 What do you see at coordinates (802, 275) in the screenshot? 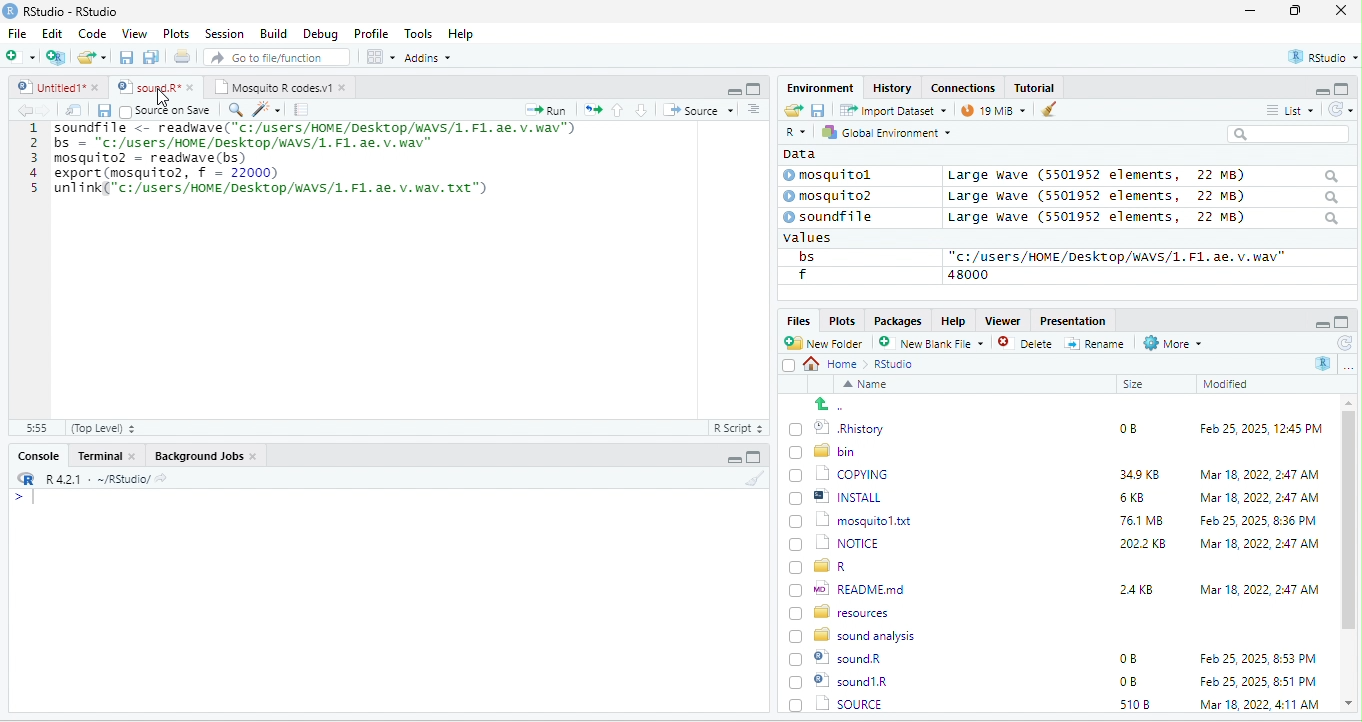
I see `f` at bounding box center [802, 275].